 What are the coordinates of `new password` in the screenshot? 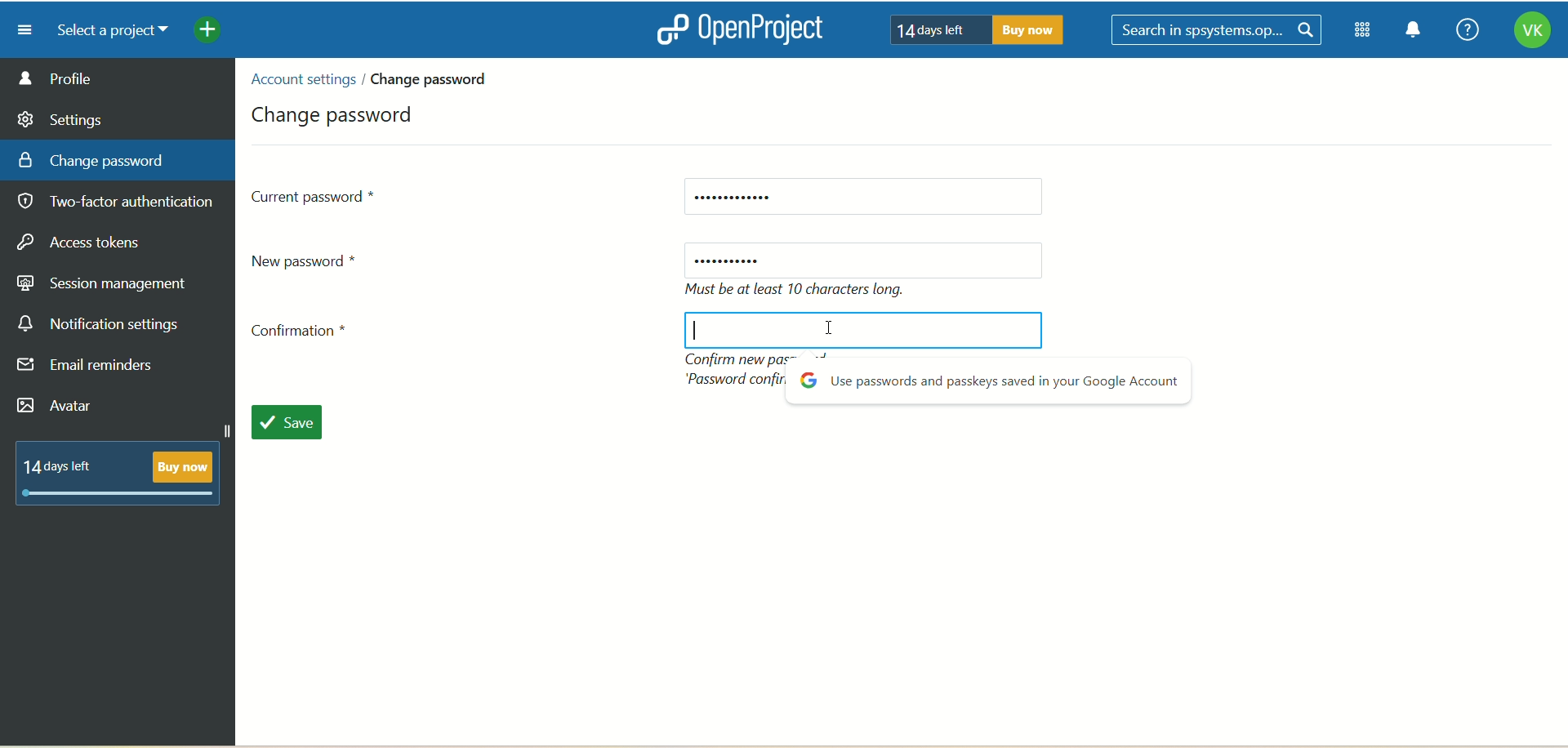 It's located at (864, 260).